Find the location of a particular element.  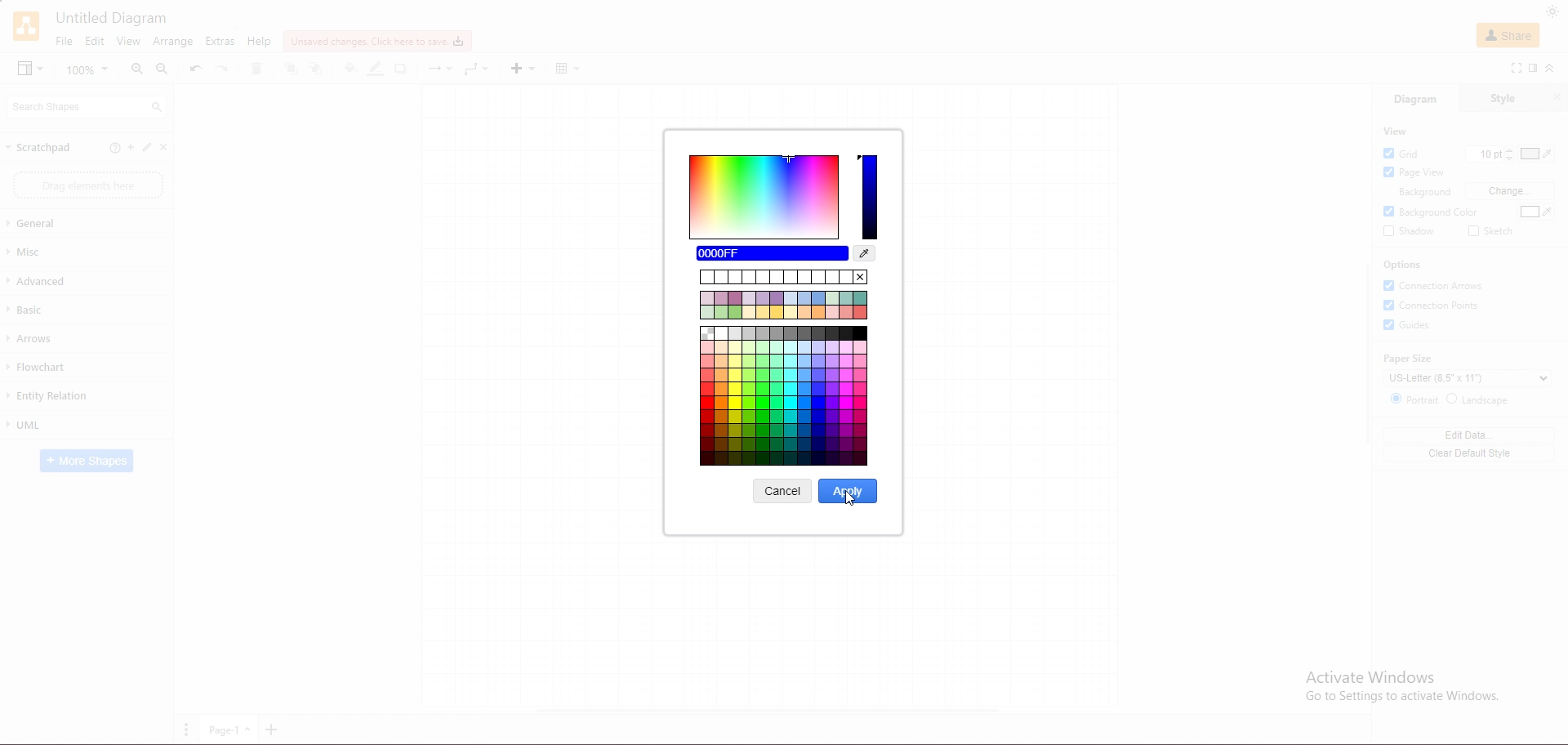

color options is located at coordinates (764, 196).